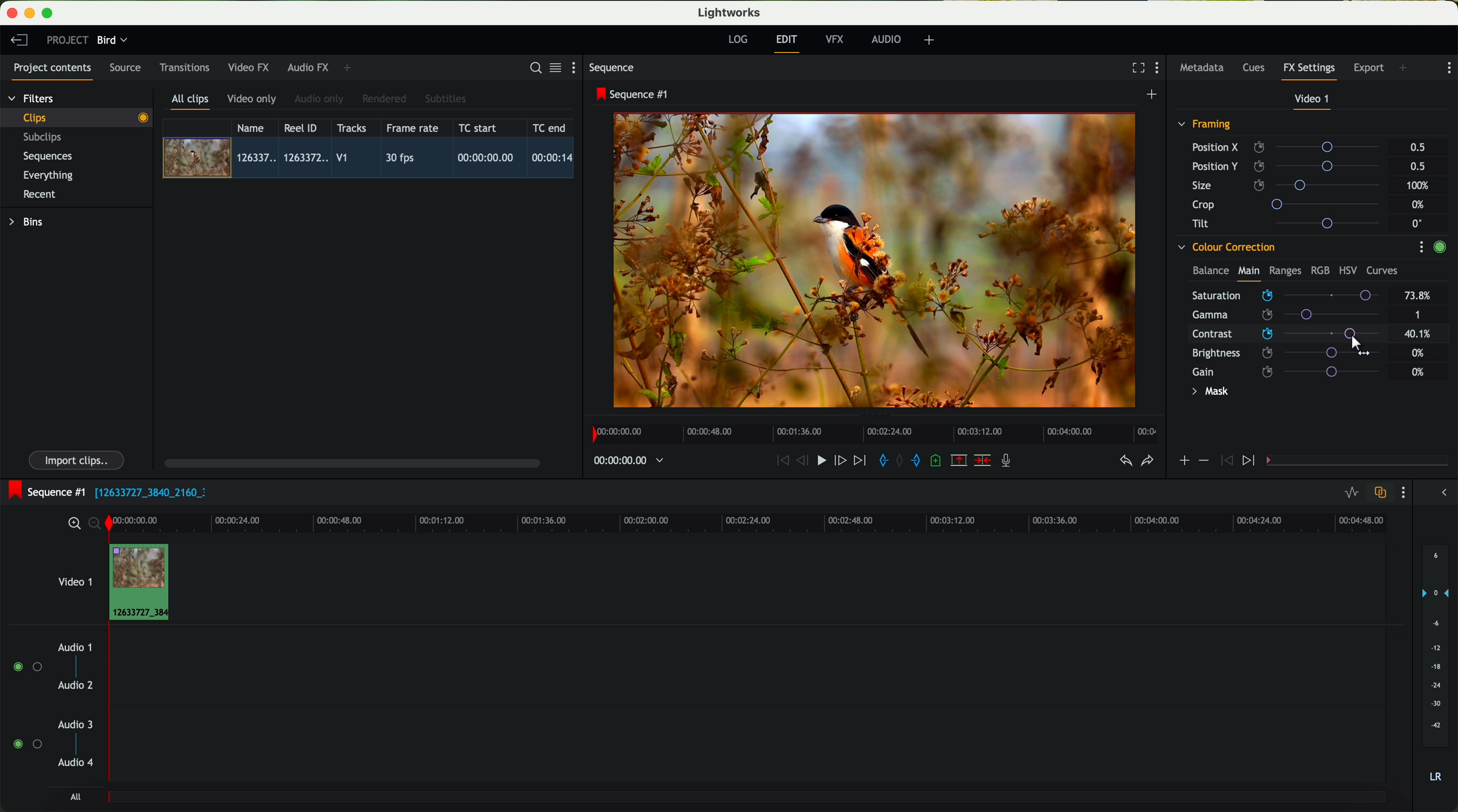 This screenshot has width=1458, height=812. What do you see at coordinates (1319, 269) in the screenshot?
I see `RGB` at bounding box center [1319, 269].